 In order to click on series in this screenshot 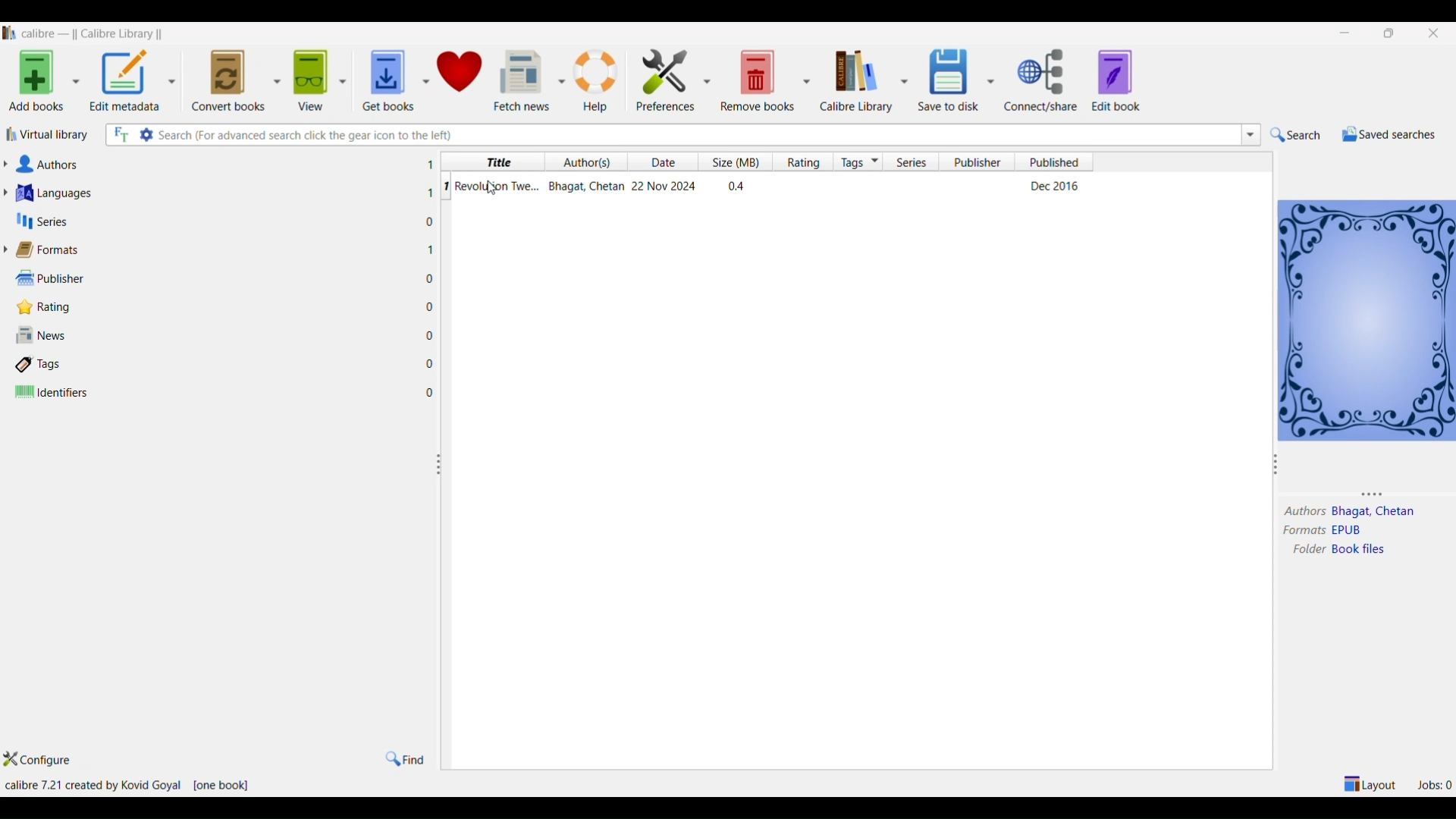, I will do `click(912, 162)`.